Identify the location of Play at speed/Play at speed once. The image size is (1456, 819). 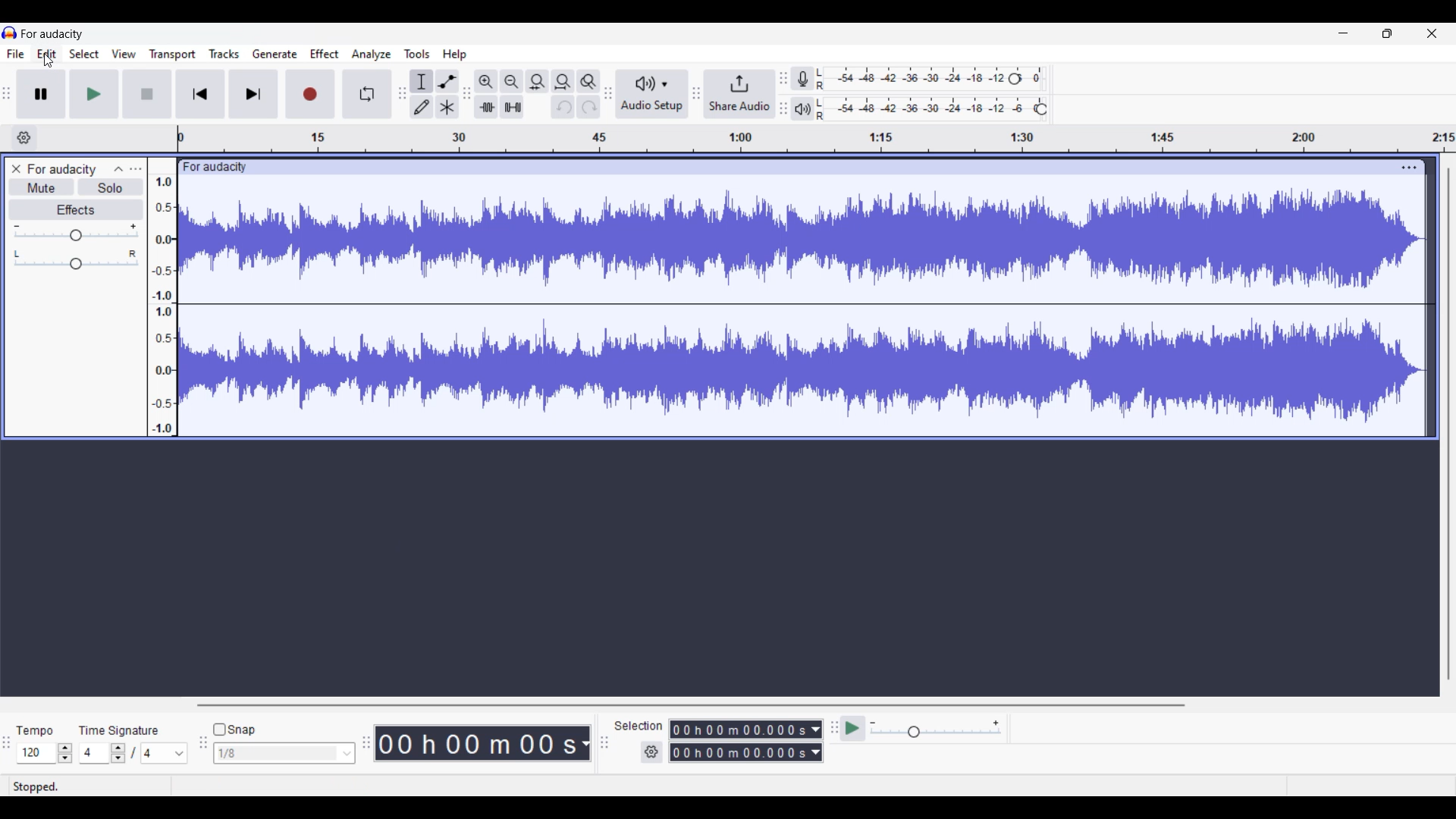
(852, 728).